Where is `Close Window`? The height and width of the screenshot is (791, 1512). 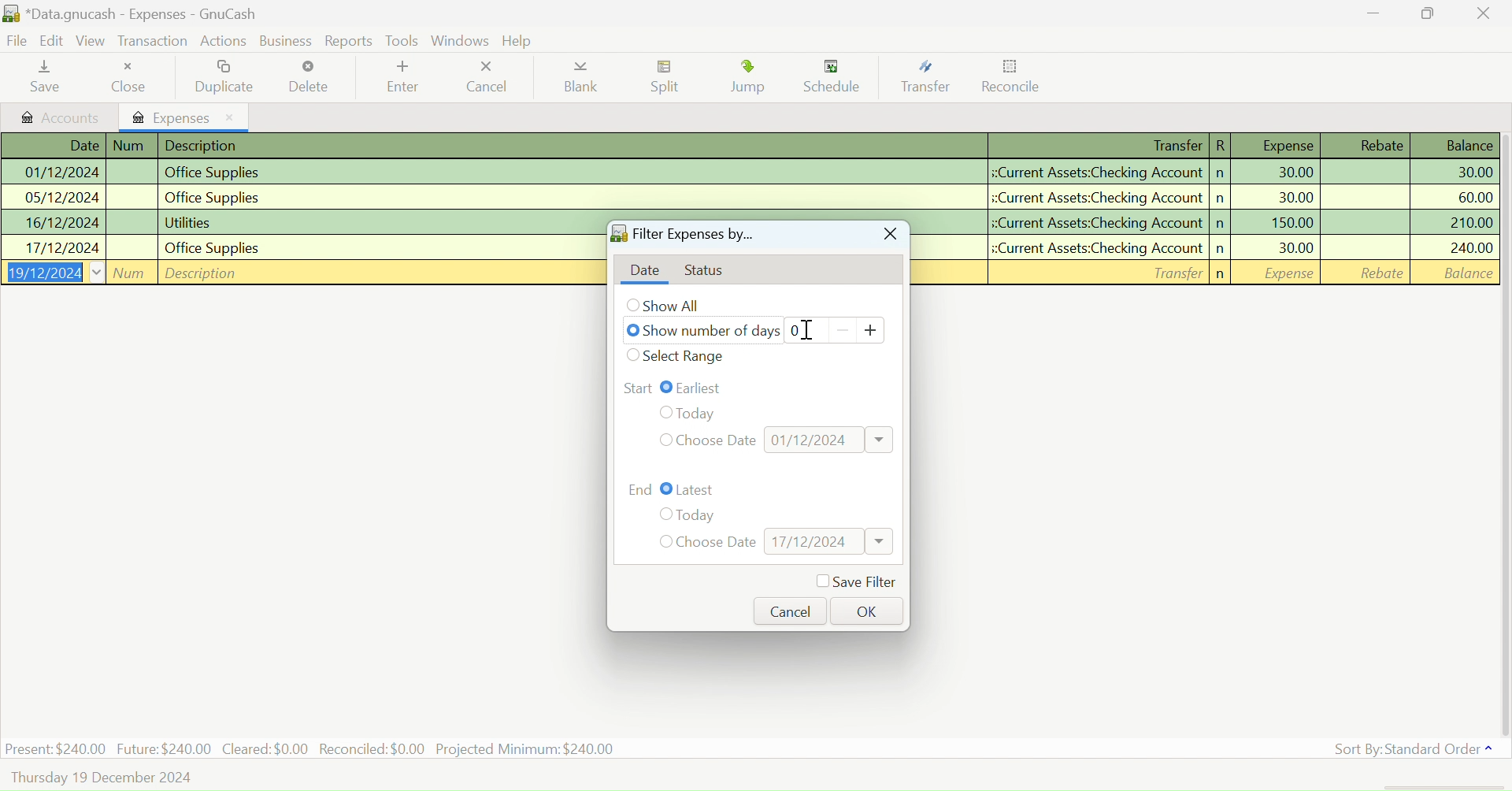
Close Window is located at coordinates (1484, 13).